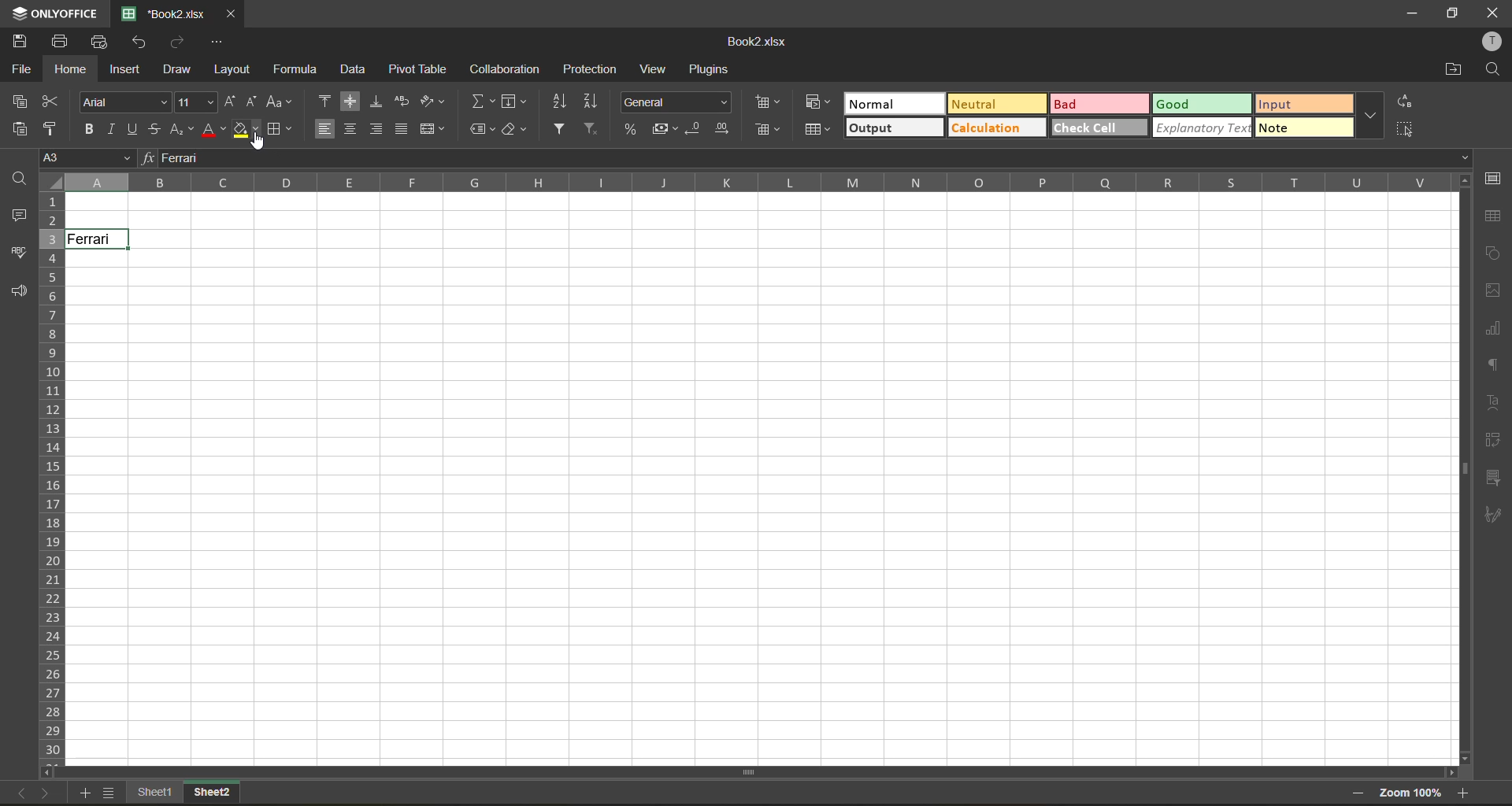  Describe the element at coordinates (294, 68) in the screenshot. I see `formula` at that location.